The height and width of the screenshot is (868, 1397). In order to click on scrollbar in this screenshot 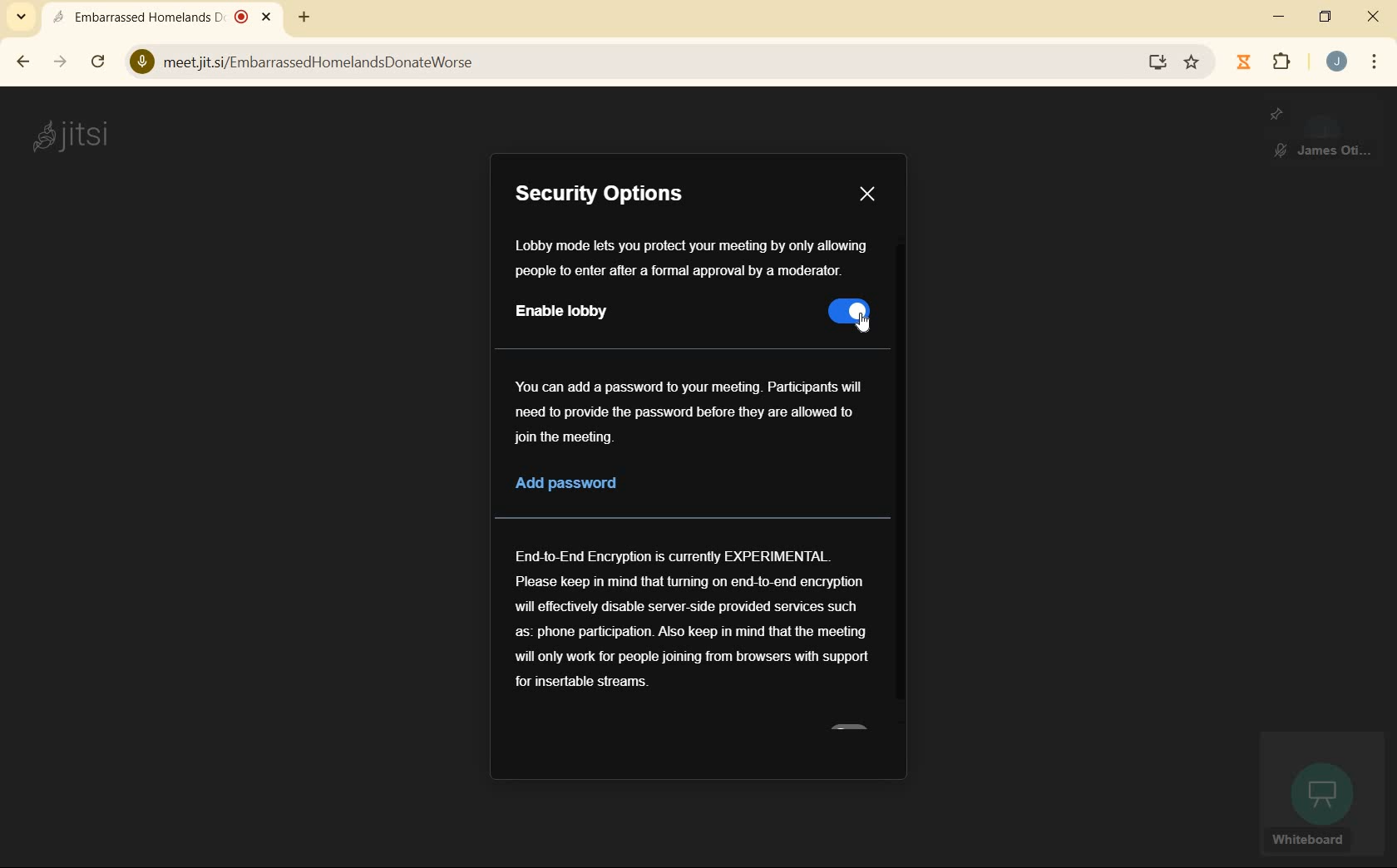, I will do `click(100, 63)`.